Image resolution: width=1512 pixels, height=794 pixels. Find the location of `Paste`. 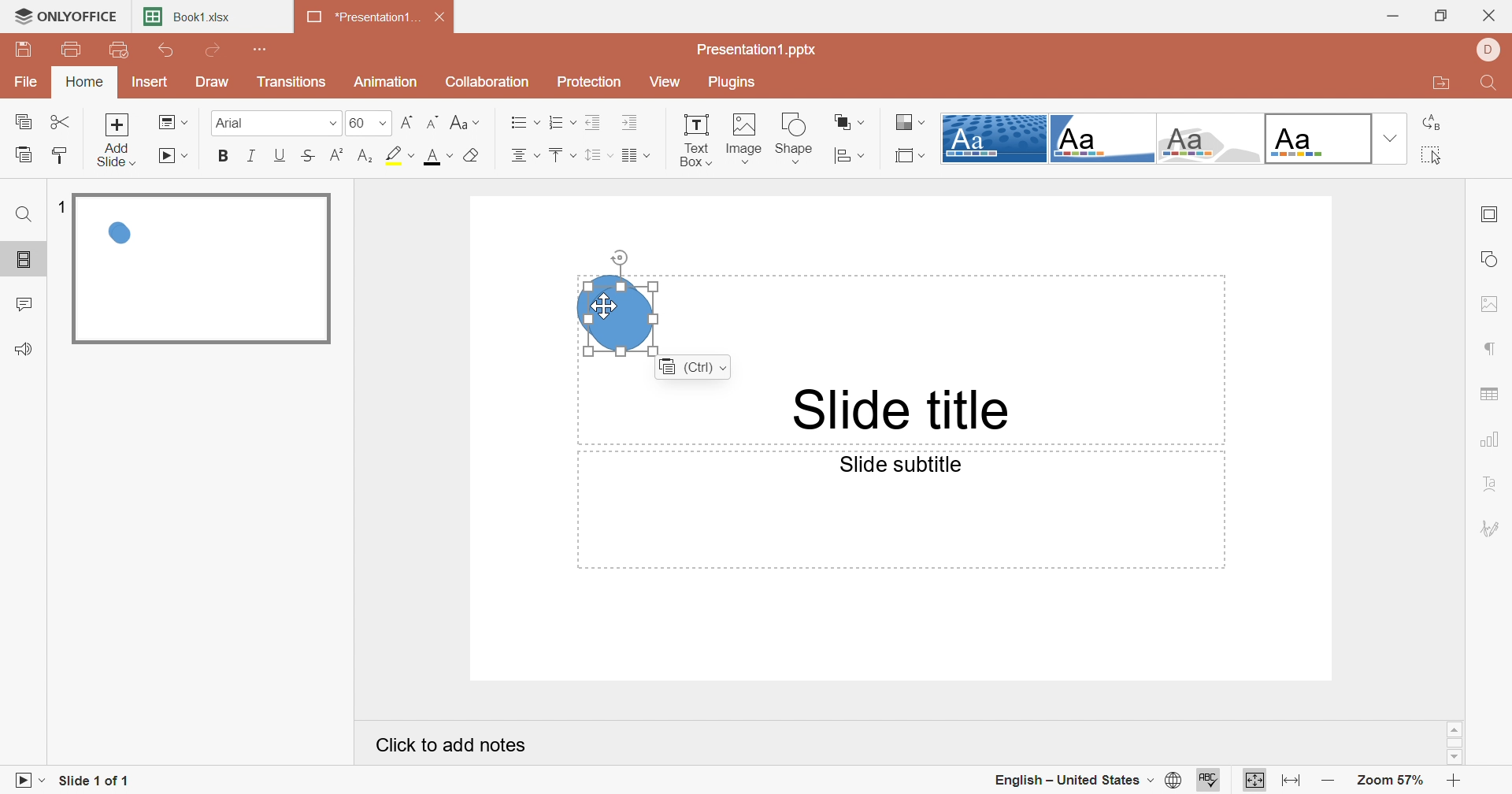

Paste is located at coordinates (24, 154).